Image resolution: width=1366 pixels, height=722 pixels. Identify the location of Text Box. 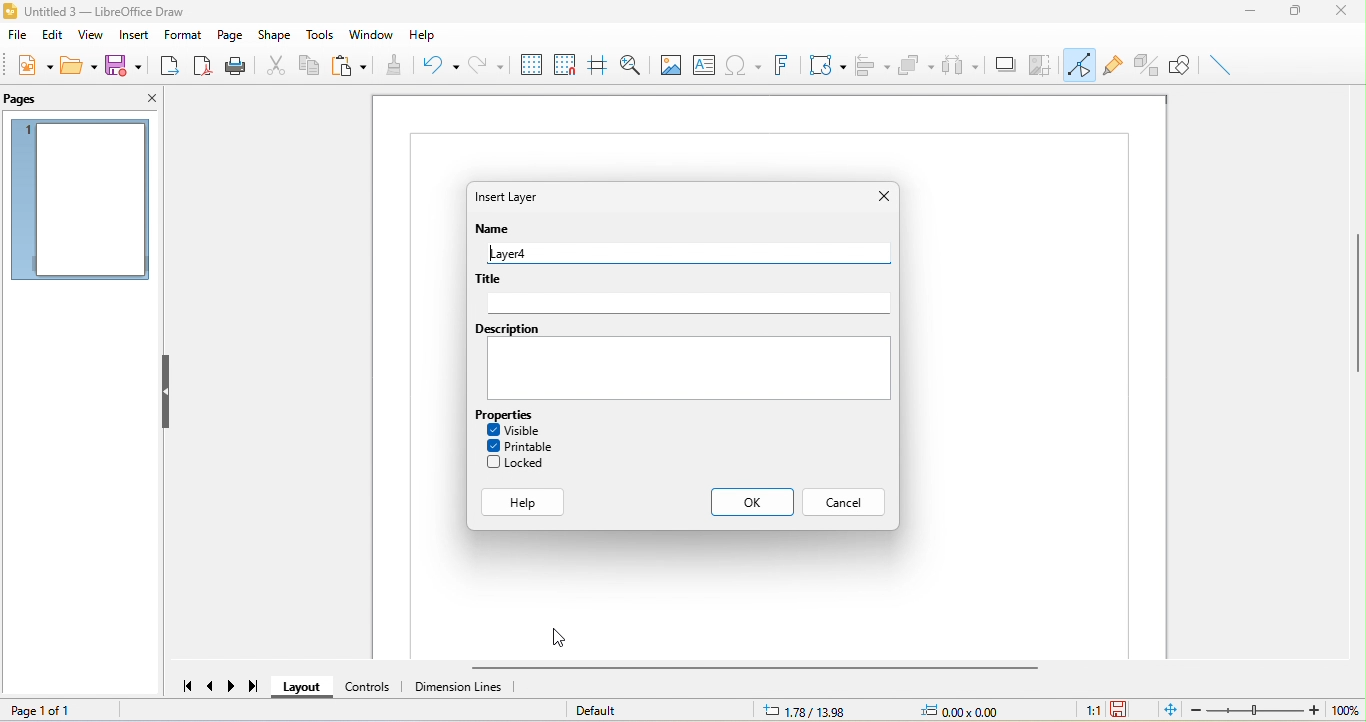
(678, 304).